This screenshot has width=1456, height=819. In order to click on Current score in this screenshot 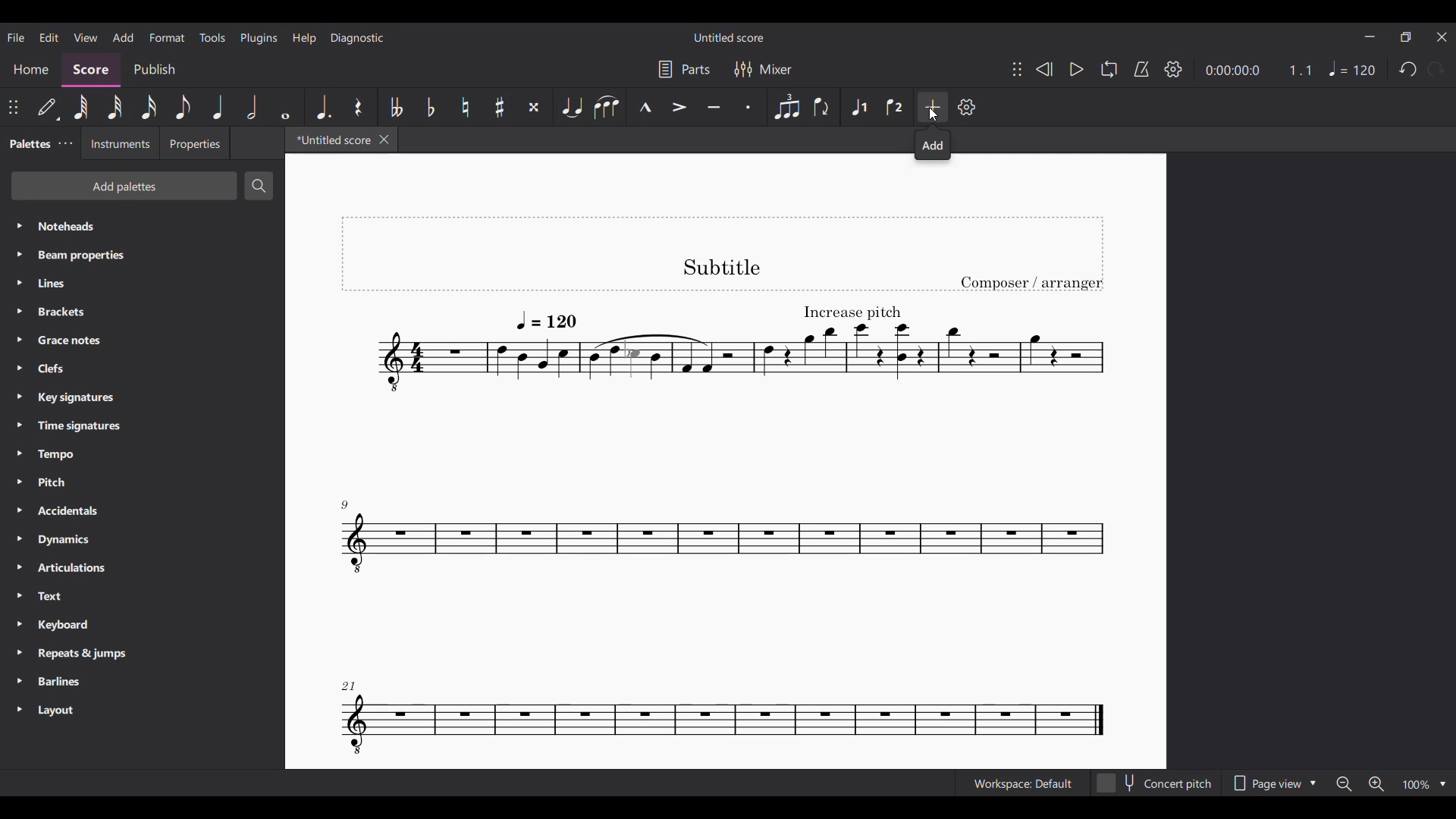, I will do `click(723, 493)`.